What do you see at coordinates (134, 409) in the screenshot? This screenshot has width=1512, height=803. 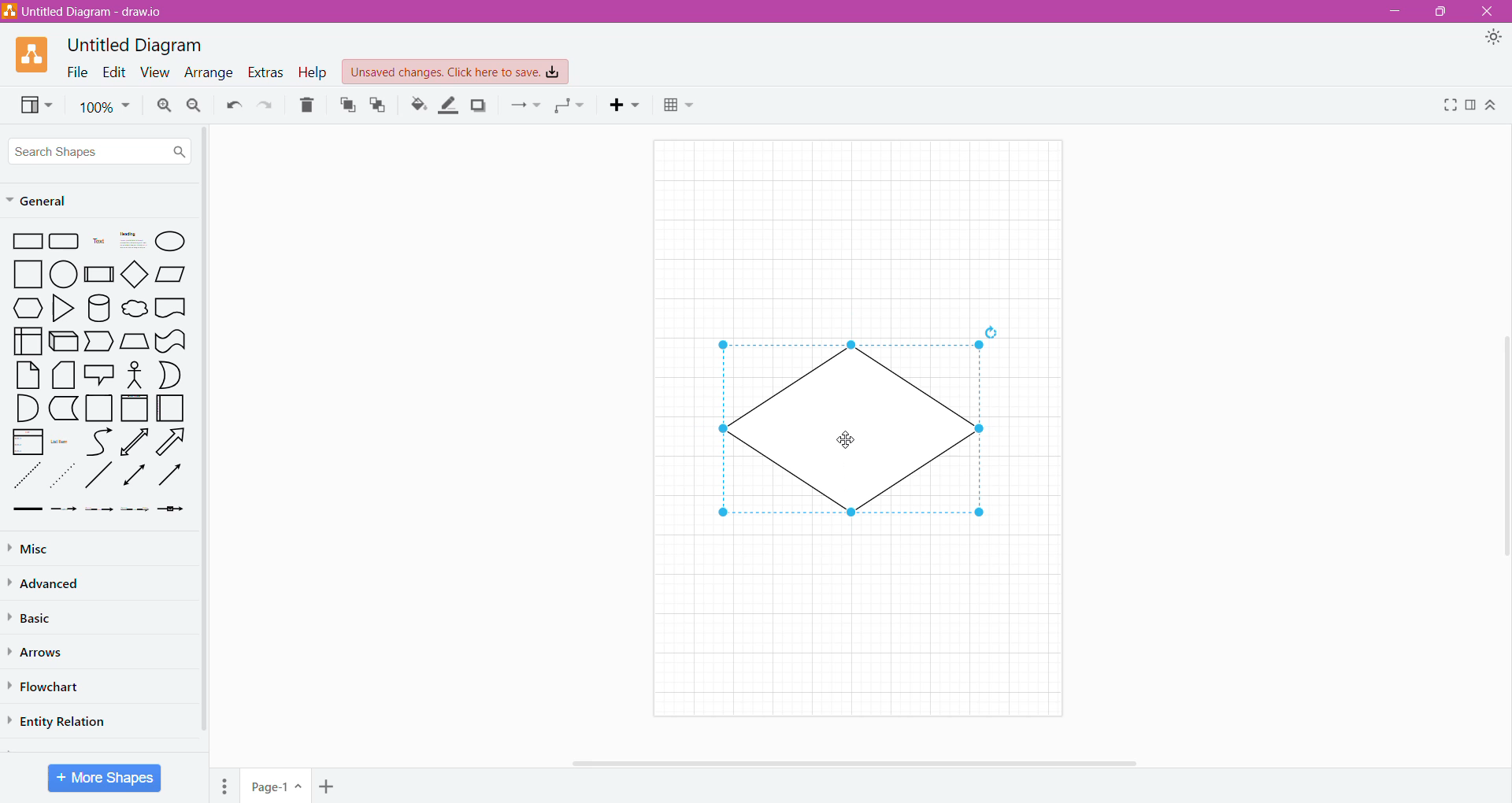 I see `Vertical Container` at bounding box center [134, 409].